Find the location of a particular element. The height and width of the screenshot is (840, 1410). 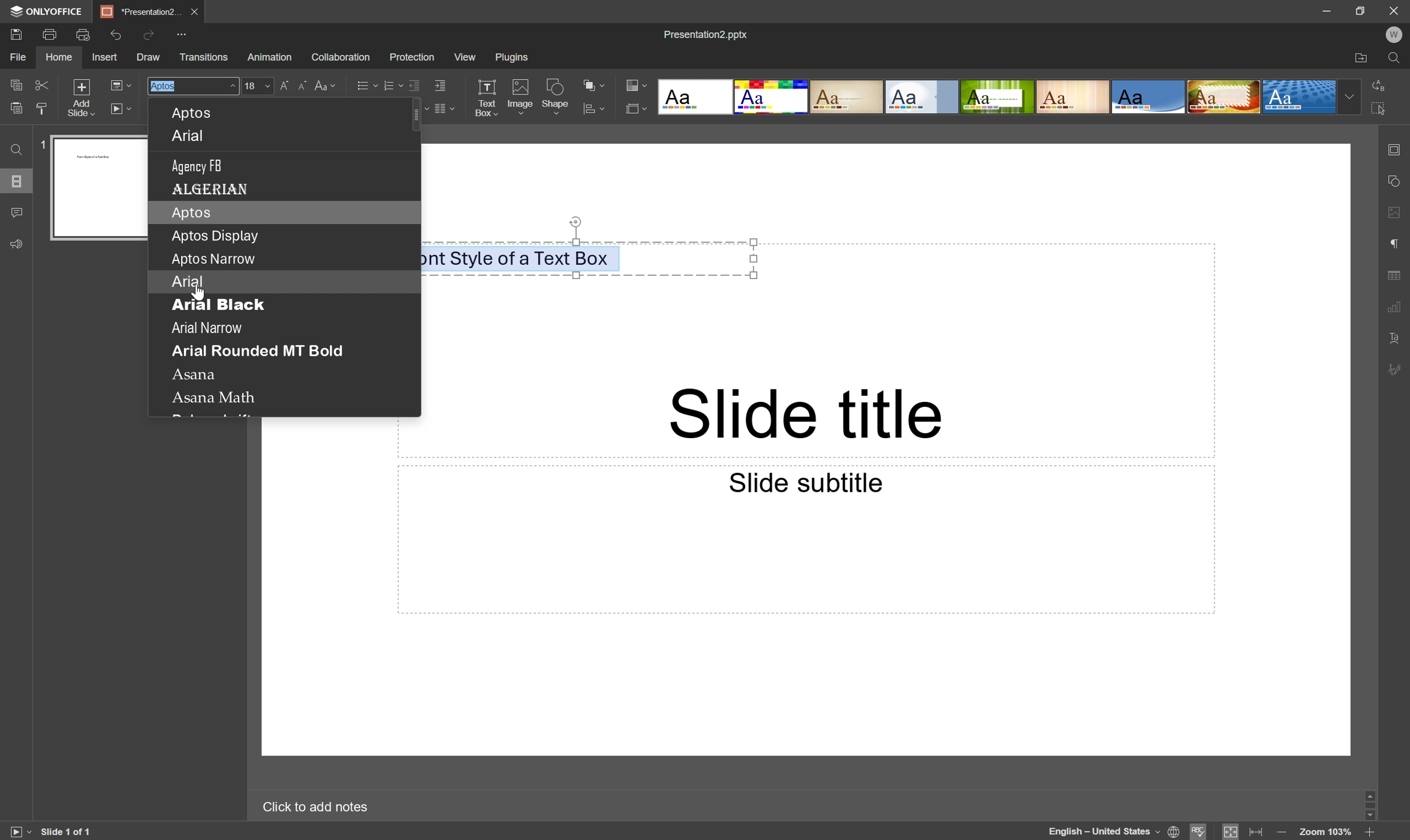

Zoom in is located at coordinates (1374, 833).